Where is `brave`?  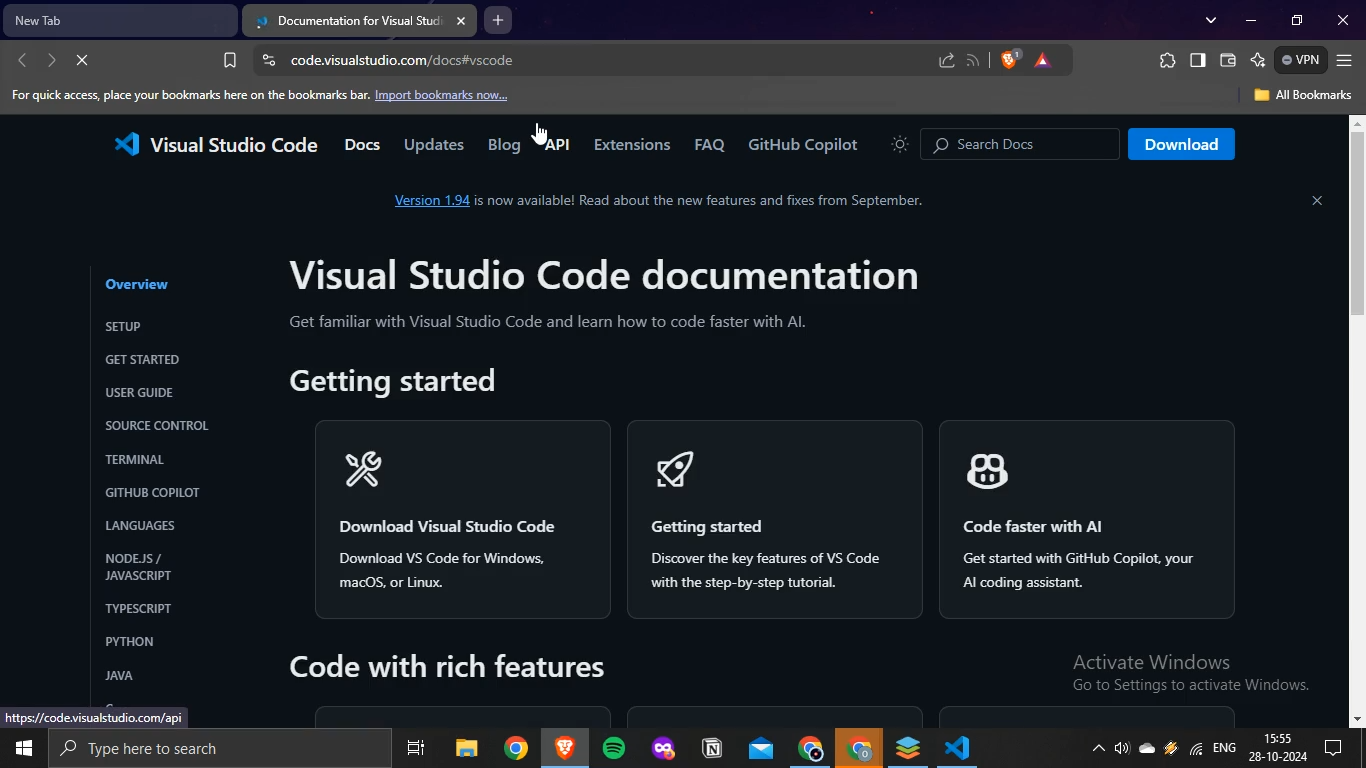
brave is located at coordinates (562, 748).